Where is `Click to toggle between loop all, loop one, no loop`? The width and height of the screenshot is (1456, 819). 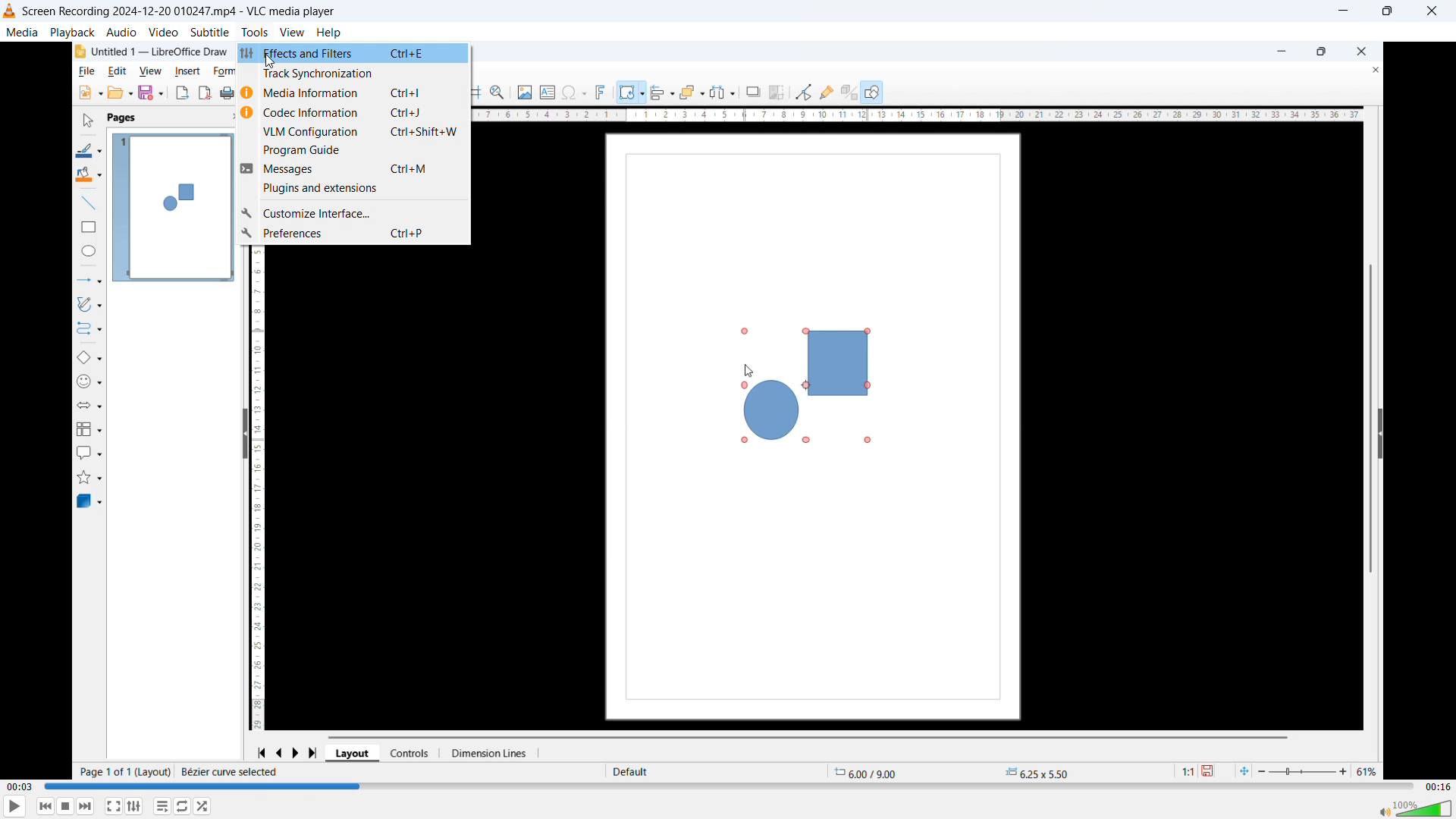
Click to toggle between loop all, loop one, no loop is located at coordinates (182, 807).